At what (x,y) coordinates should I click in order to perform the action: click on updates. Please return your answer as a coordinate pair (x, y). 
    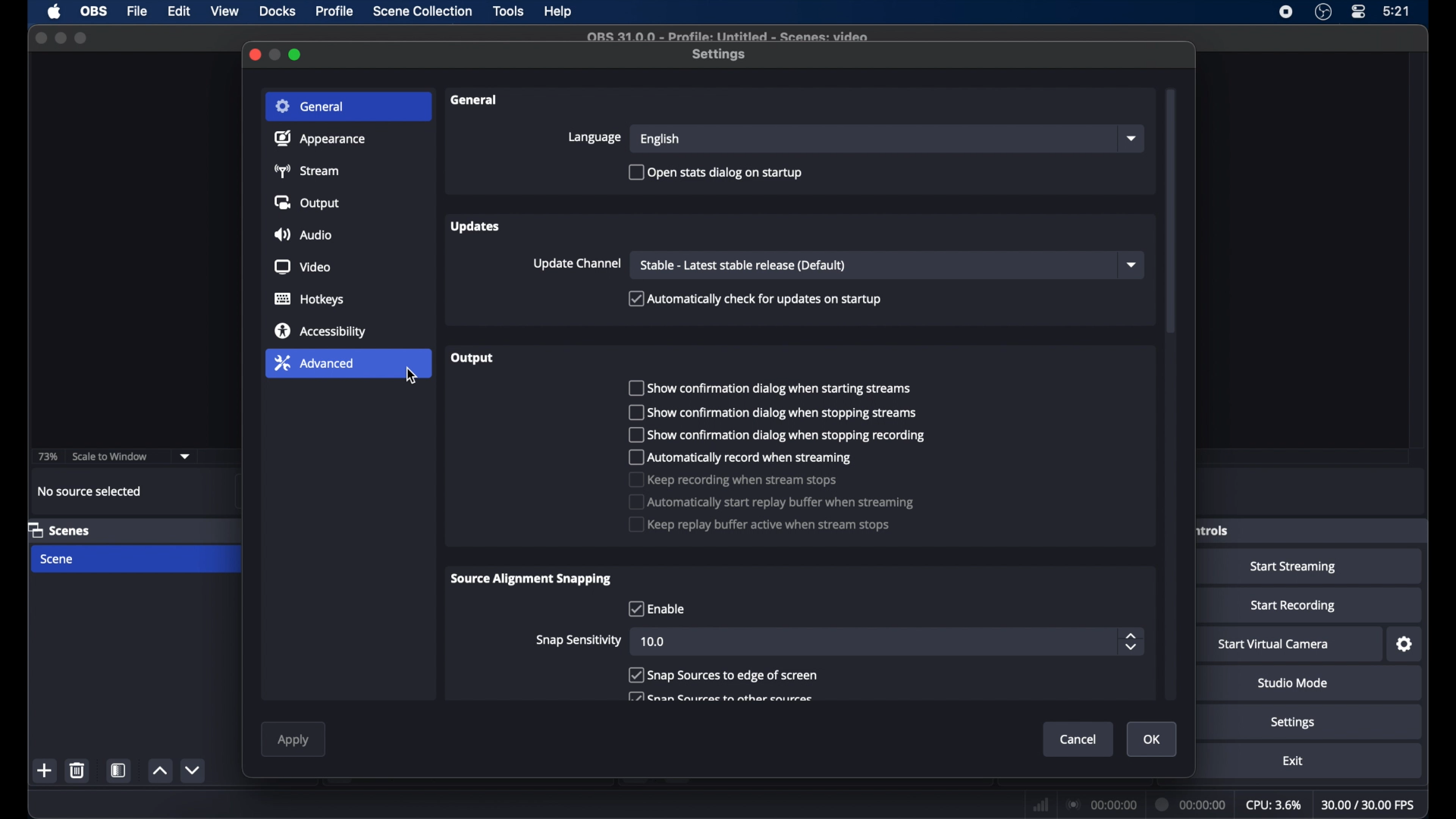
    Looking at the image, I should click on (476, 227).